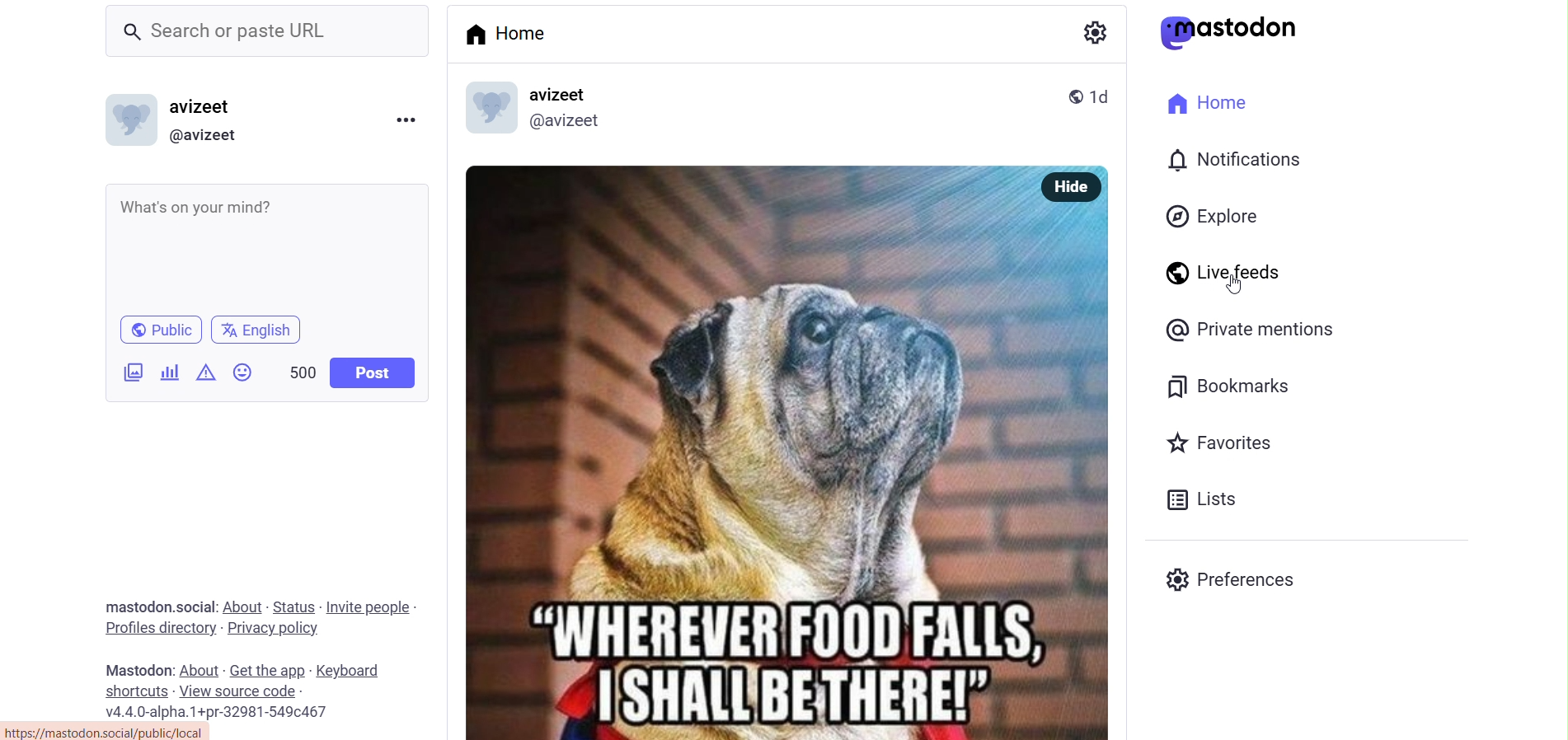  Describe the element at coordinates (406, 120) in the screenshot. I see `more` at that location.